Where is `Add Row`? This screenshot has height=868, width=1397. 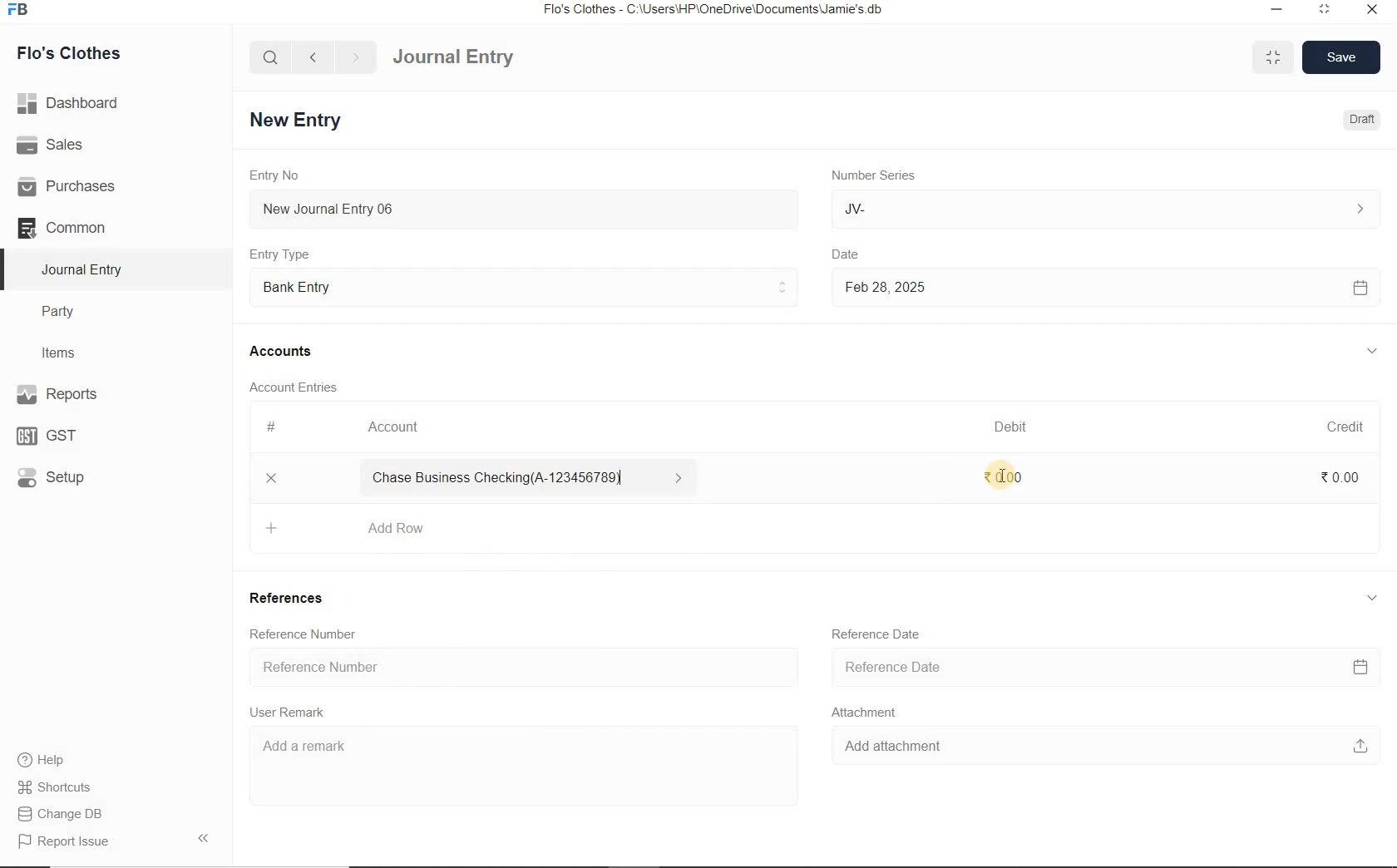
Add Row is located at coordinates (361, 526).